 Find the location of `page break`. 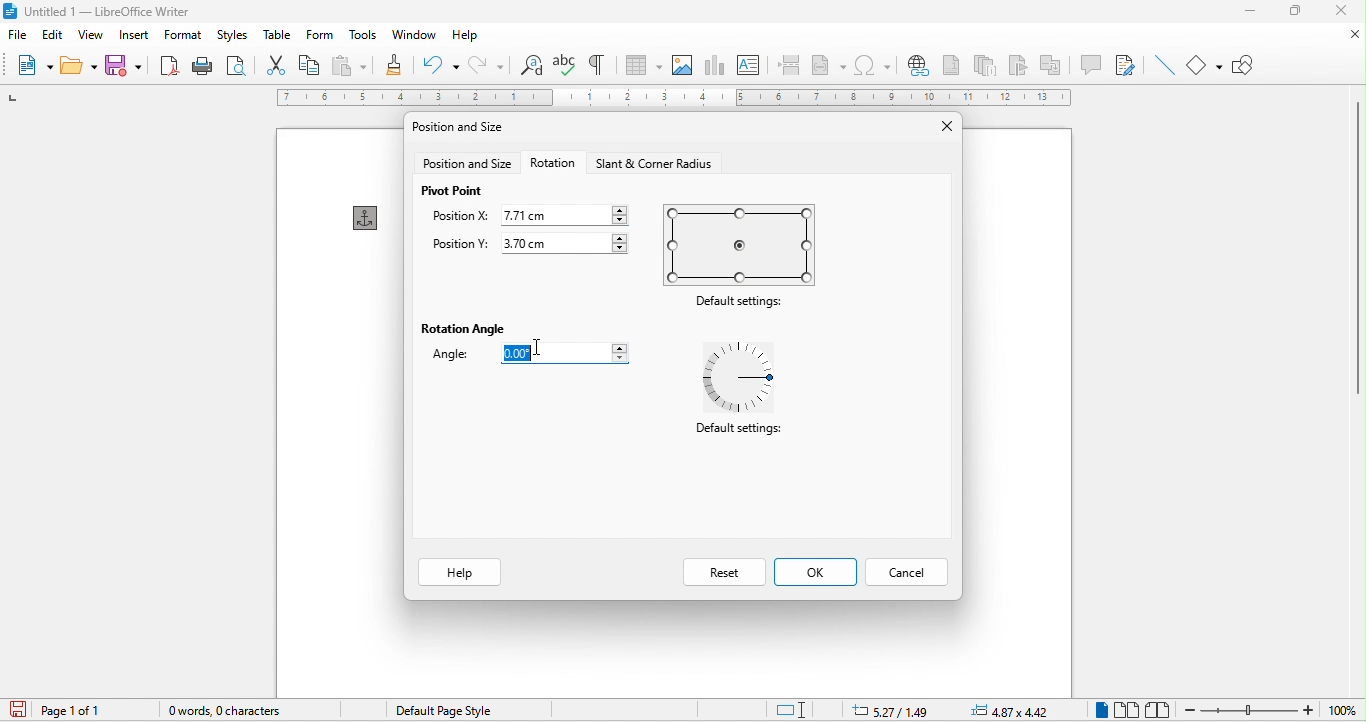

page break is located at coordinates (787, 63).